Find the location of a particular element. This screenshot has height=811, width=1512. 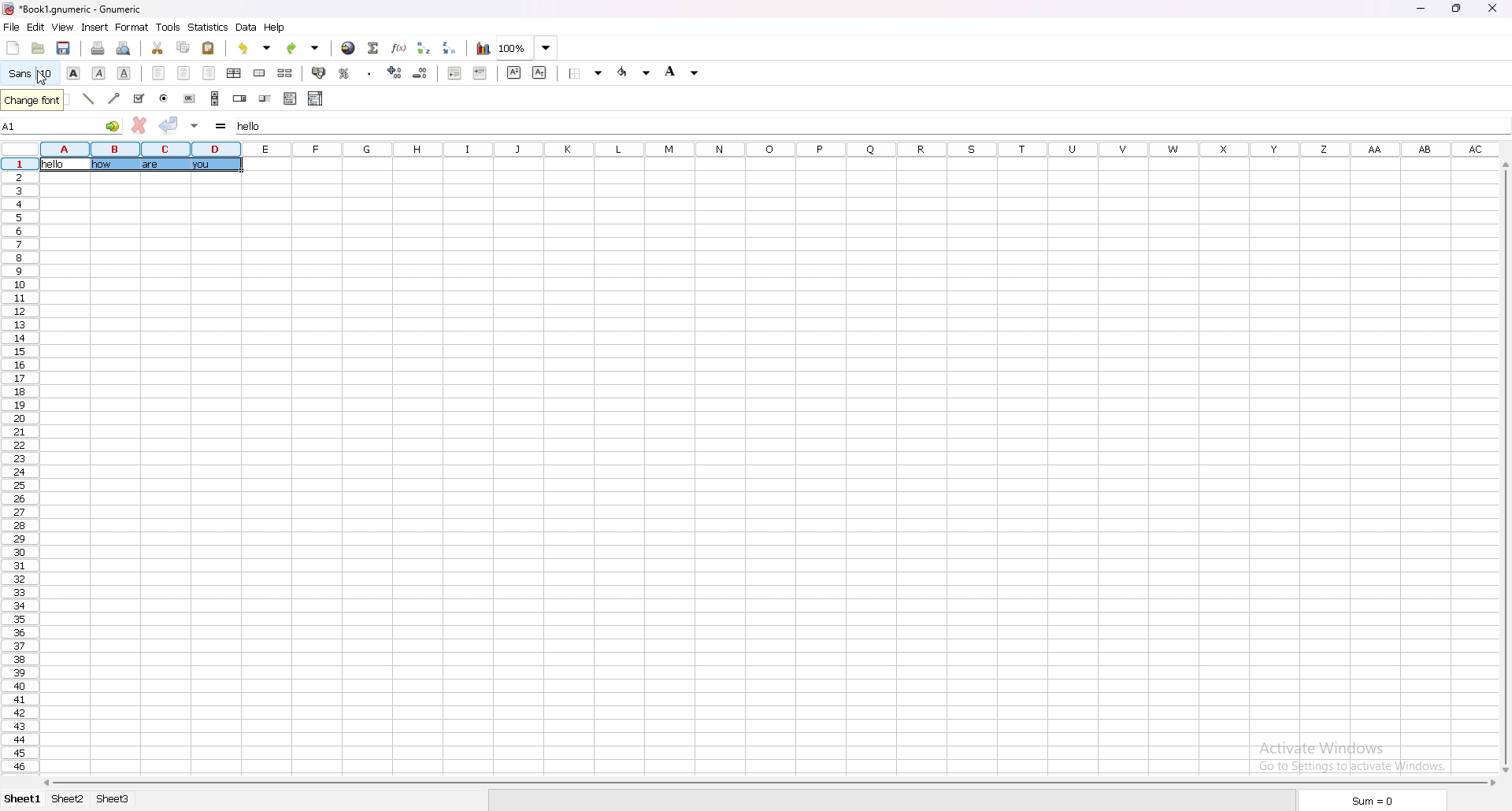

chart is located at coordinates (484, 48).